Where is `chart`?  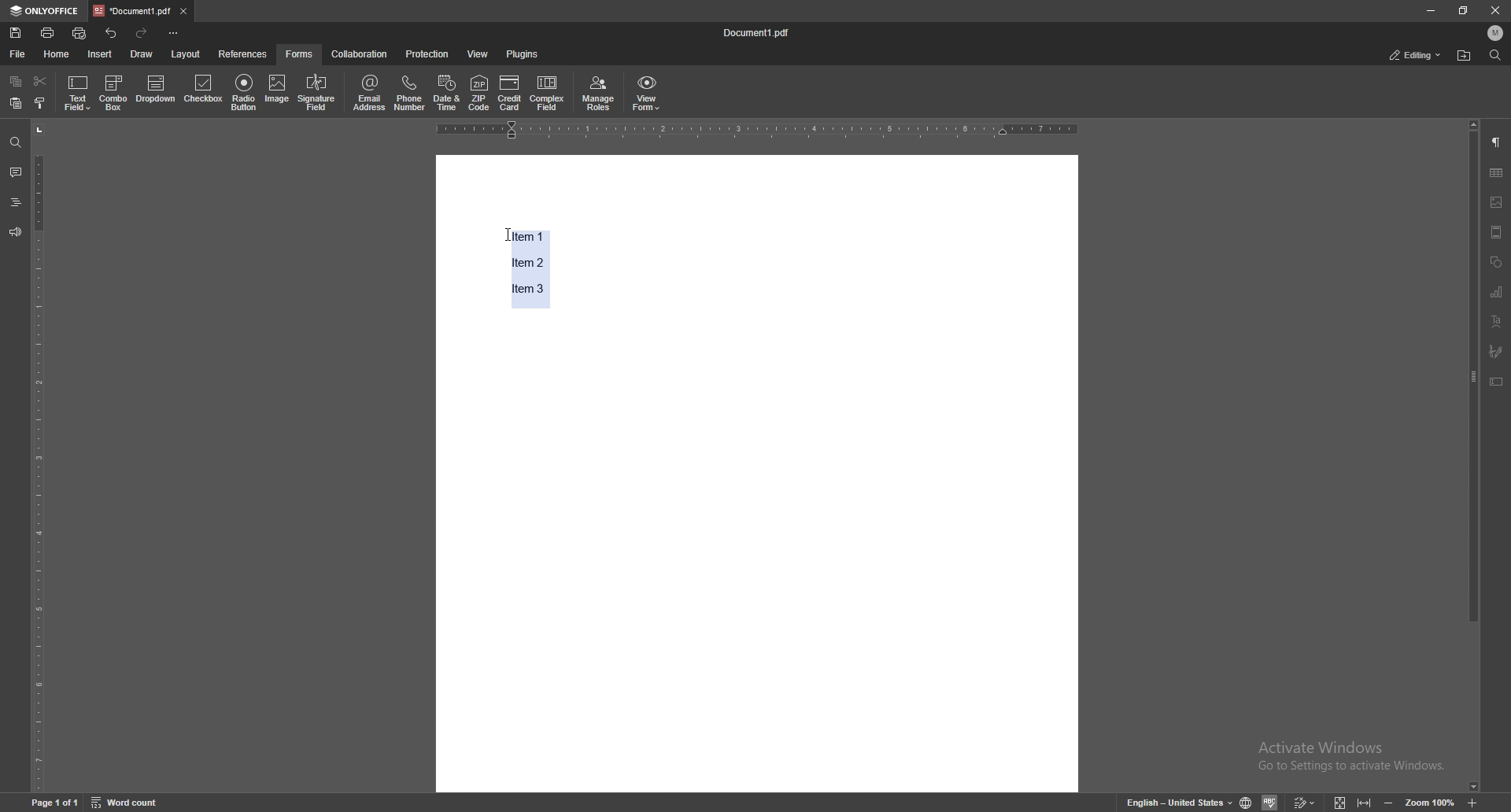 chart is located at coordinates (1497, 172).